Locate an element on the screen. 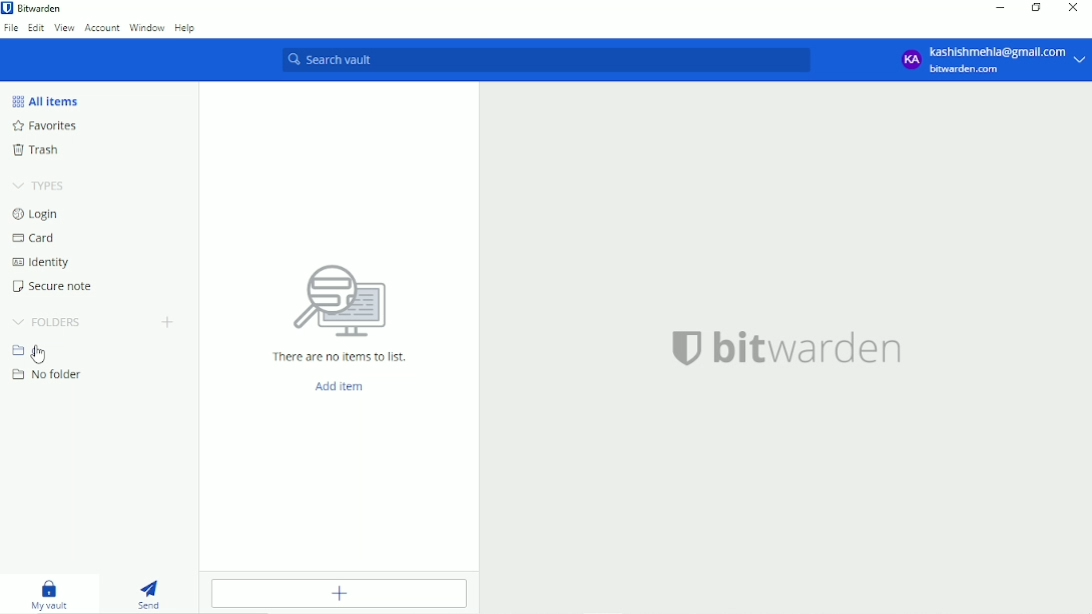 The height and width of the screenshot is (614, 1092). Search vault is located at coordinates (554, 62).